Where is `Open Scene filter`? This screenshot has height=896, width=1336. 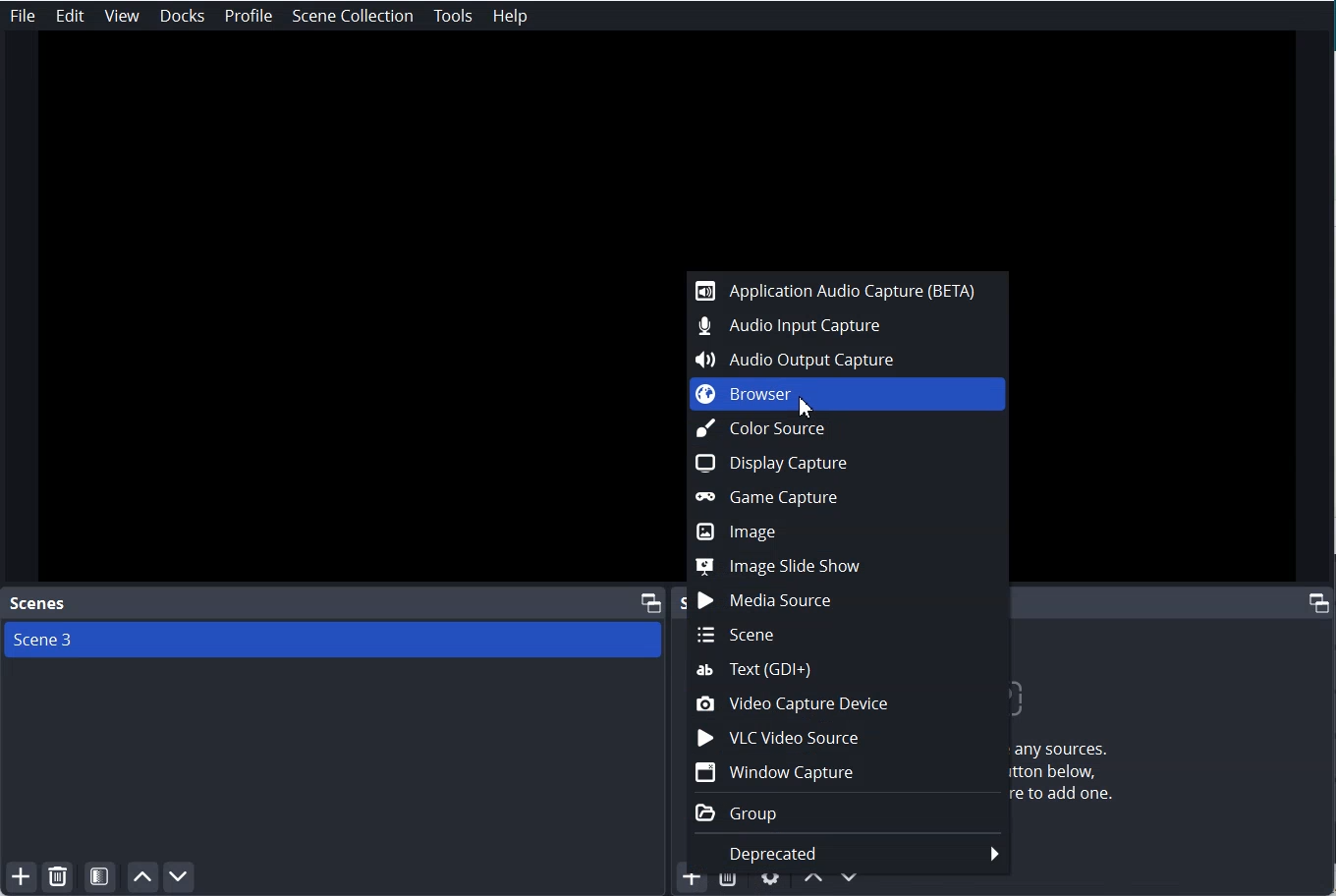 Open Scene filter is located at coordinates (100, 877).